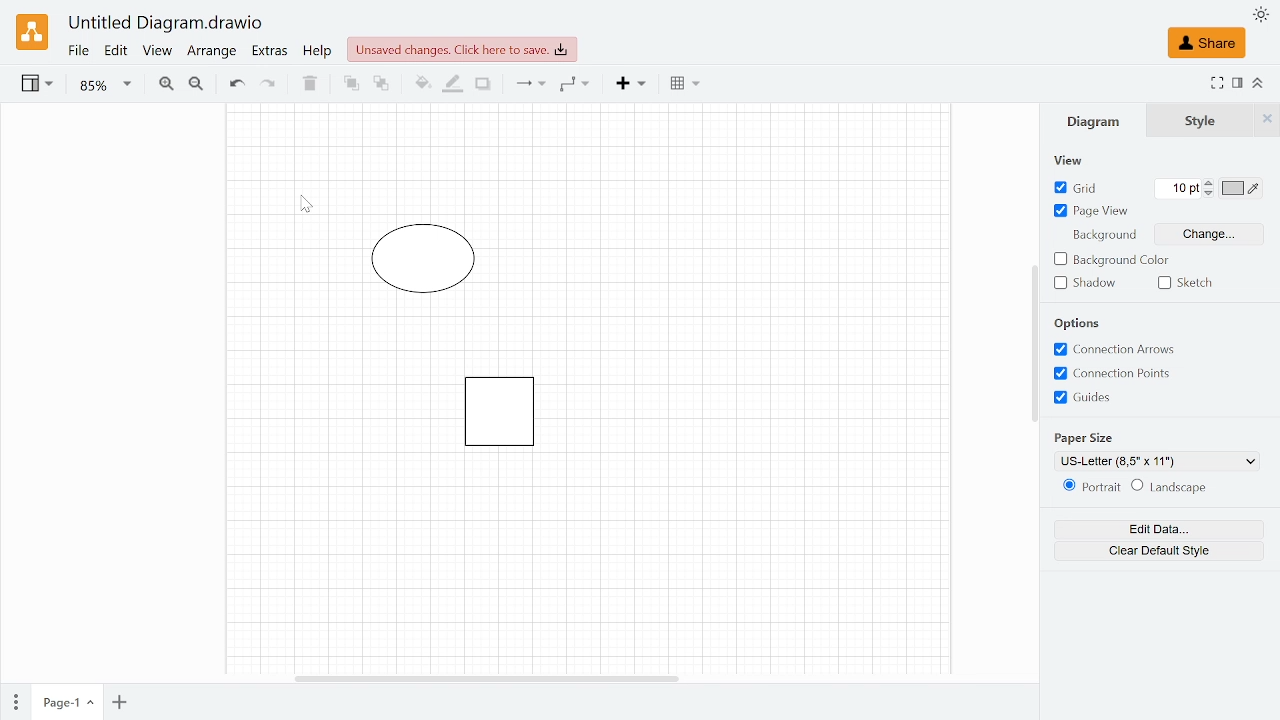 This screenshot has height=720, width=1280. I want to click on Style, so click(1201, 121).